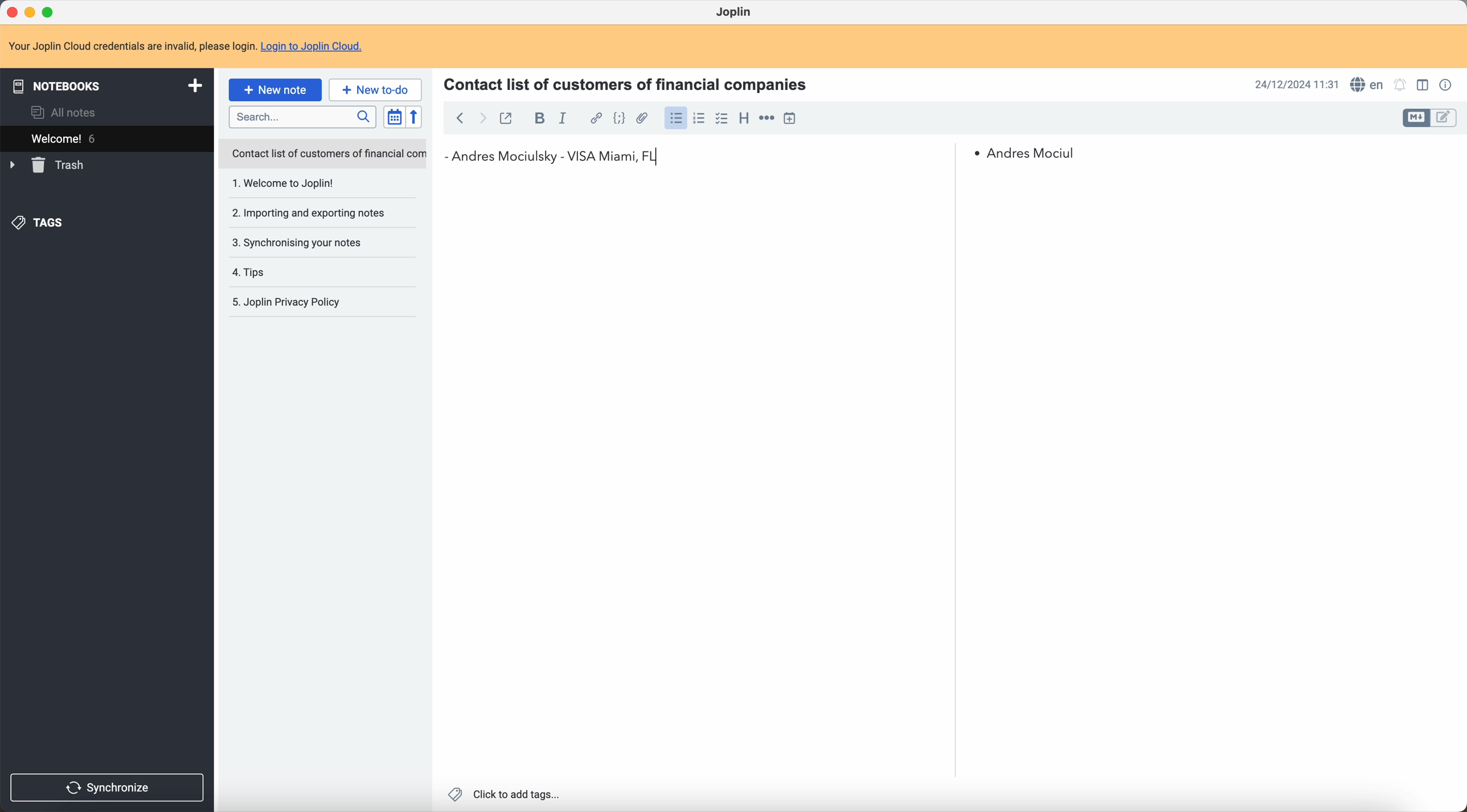 This screenshot has height=812, width=1467. Describe the element at coordinates (538, 118) in the screenshot. I see `bold` at that location.